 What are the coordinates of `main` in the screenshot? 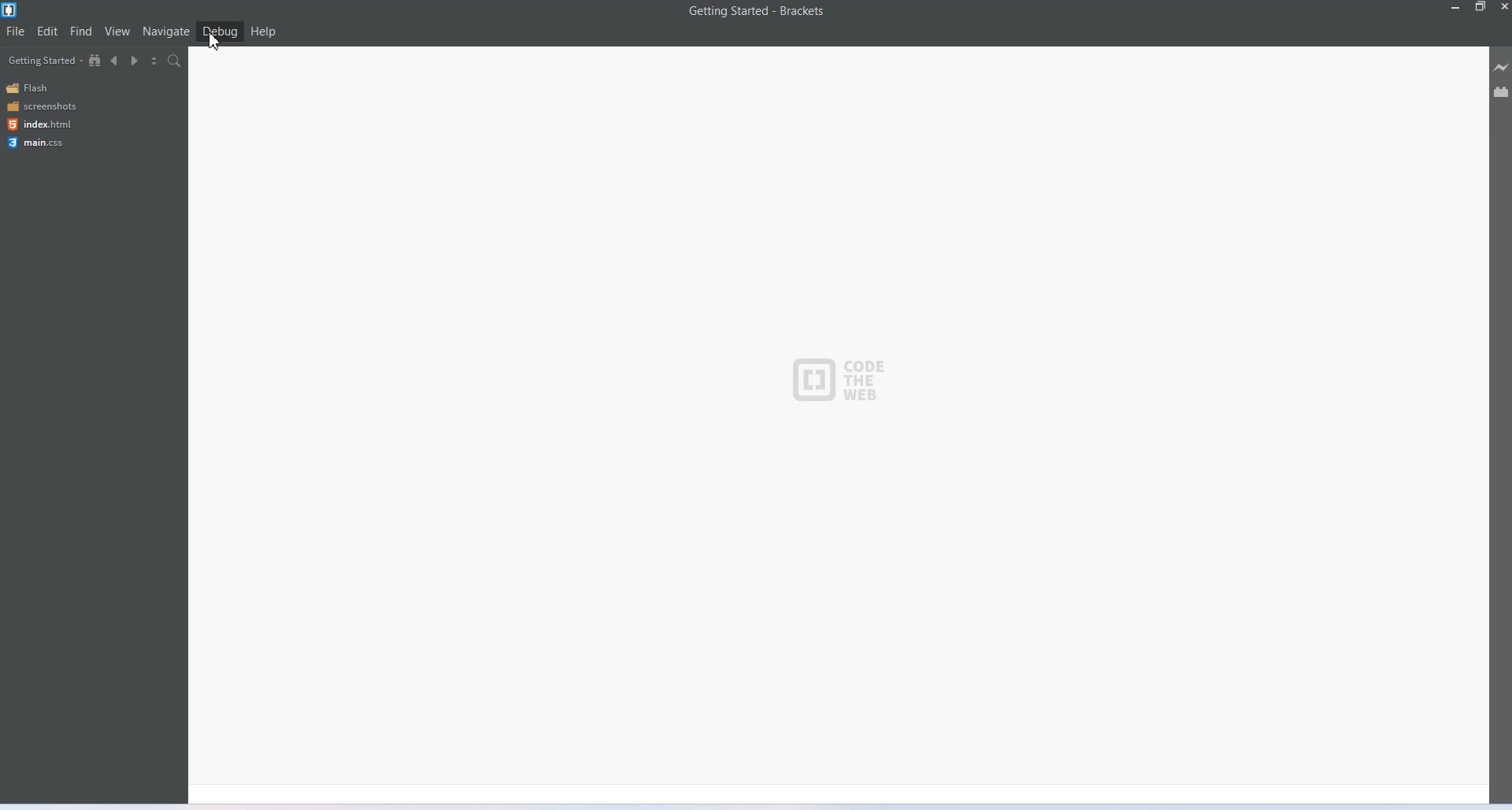 It's located at (39, 143).